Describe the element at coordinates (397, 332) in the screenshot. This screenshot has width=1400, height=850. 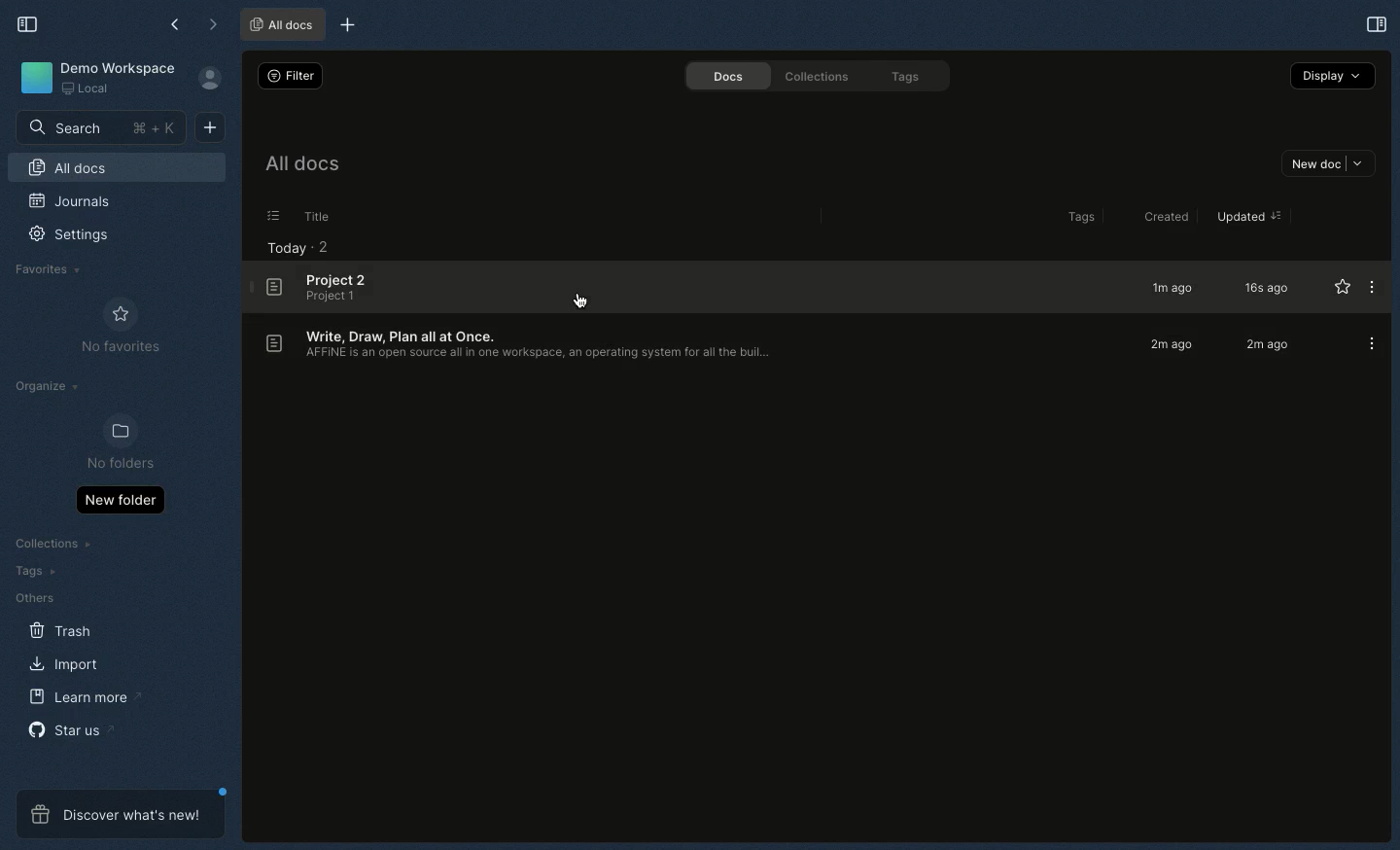
I see `Body` at that location.